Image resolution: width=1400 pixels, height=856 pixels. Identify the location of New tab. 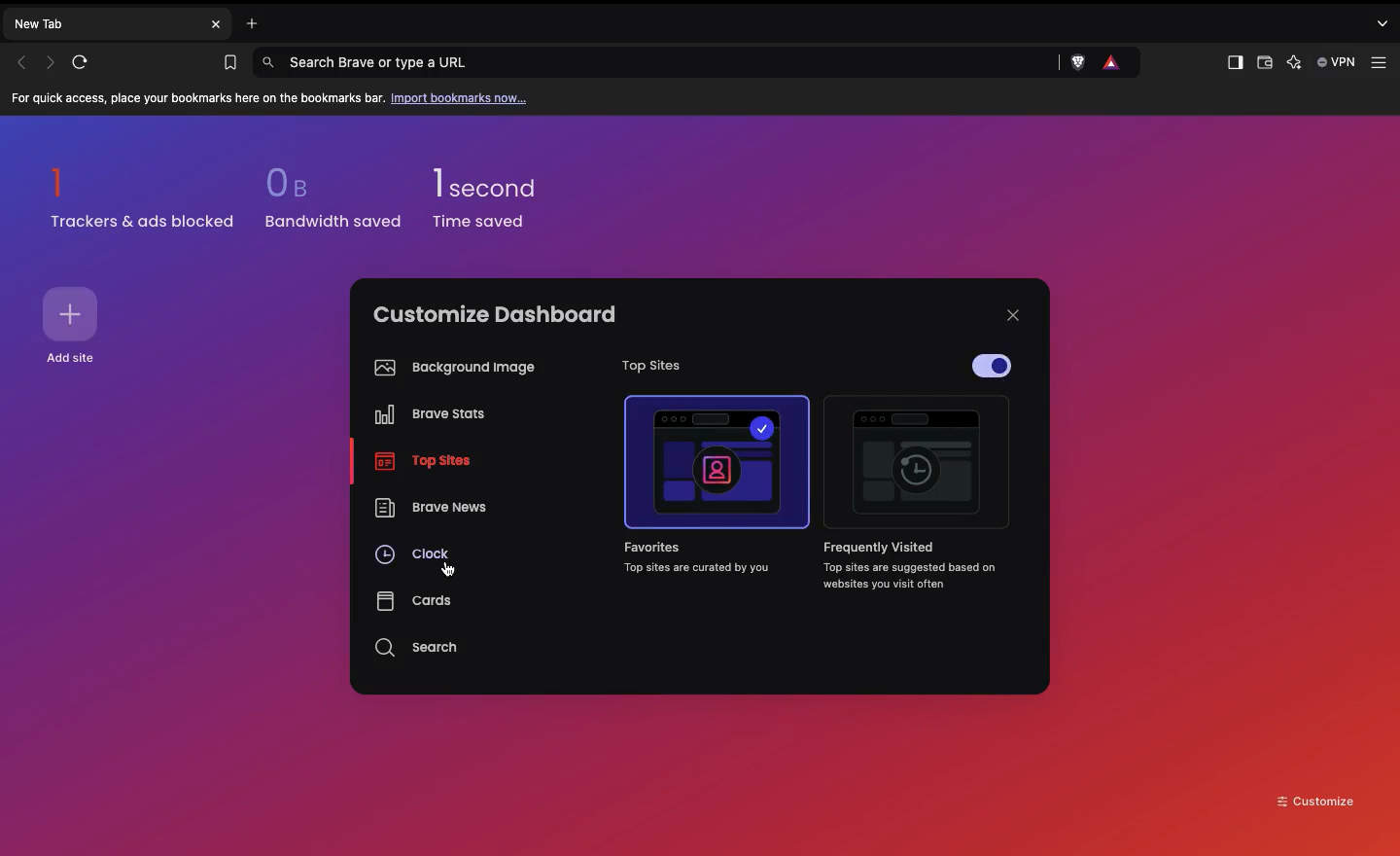
(103, 22).